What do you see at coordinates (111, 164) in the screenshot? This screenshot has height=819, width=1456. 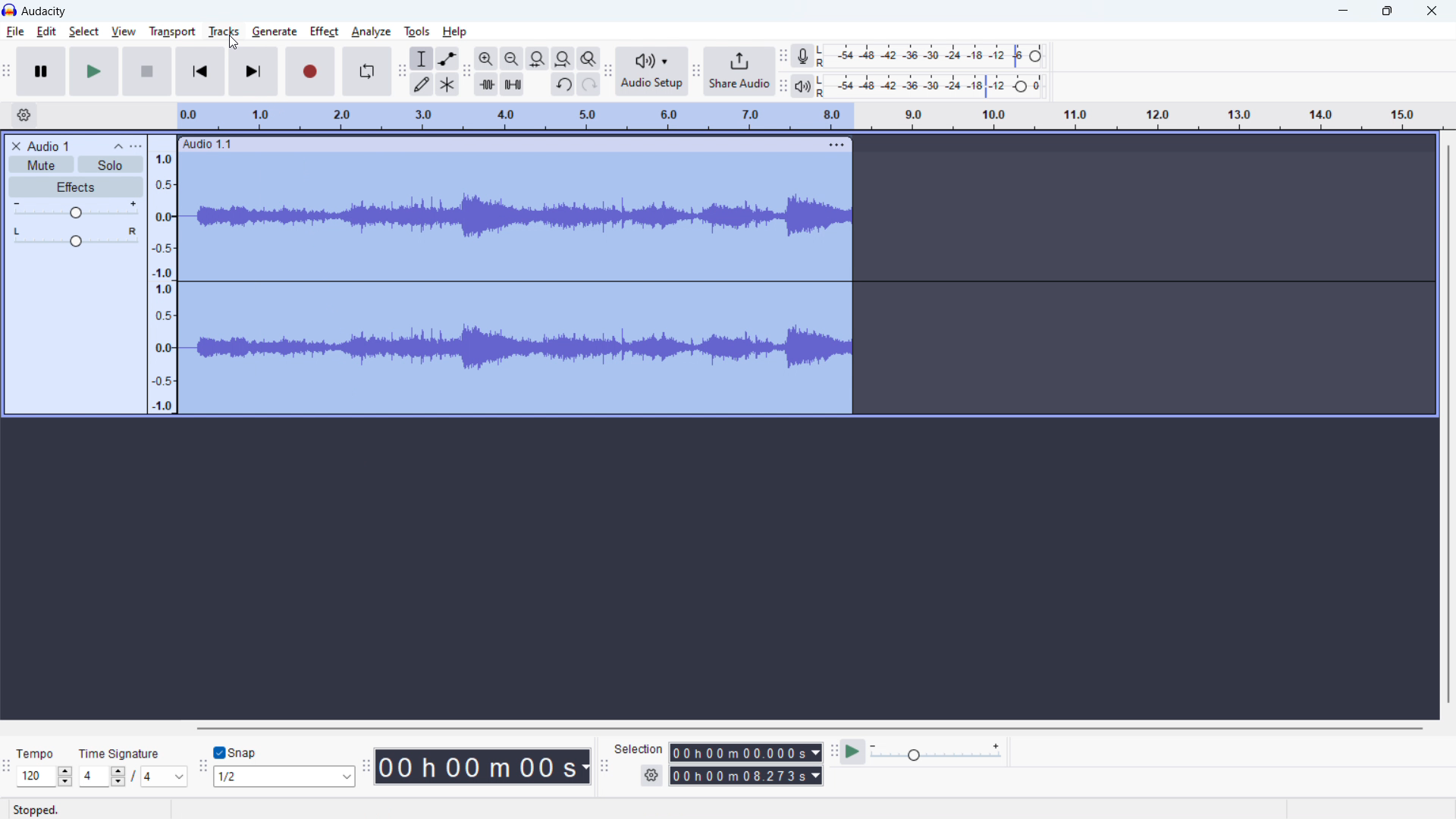 I see `solo` at bounding box center [111, 164].